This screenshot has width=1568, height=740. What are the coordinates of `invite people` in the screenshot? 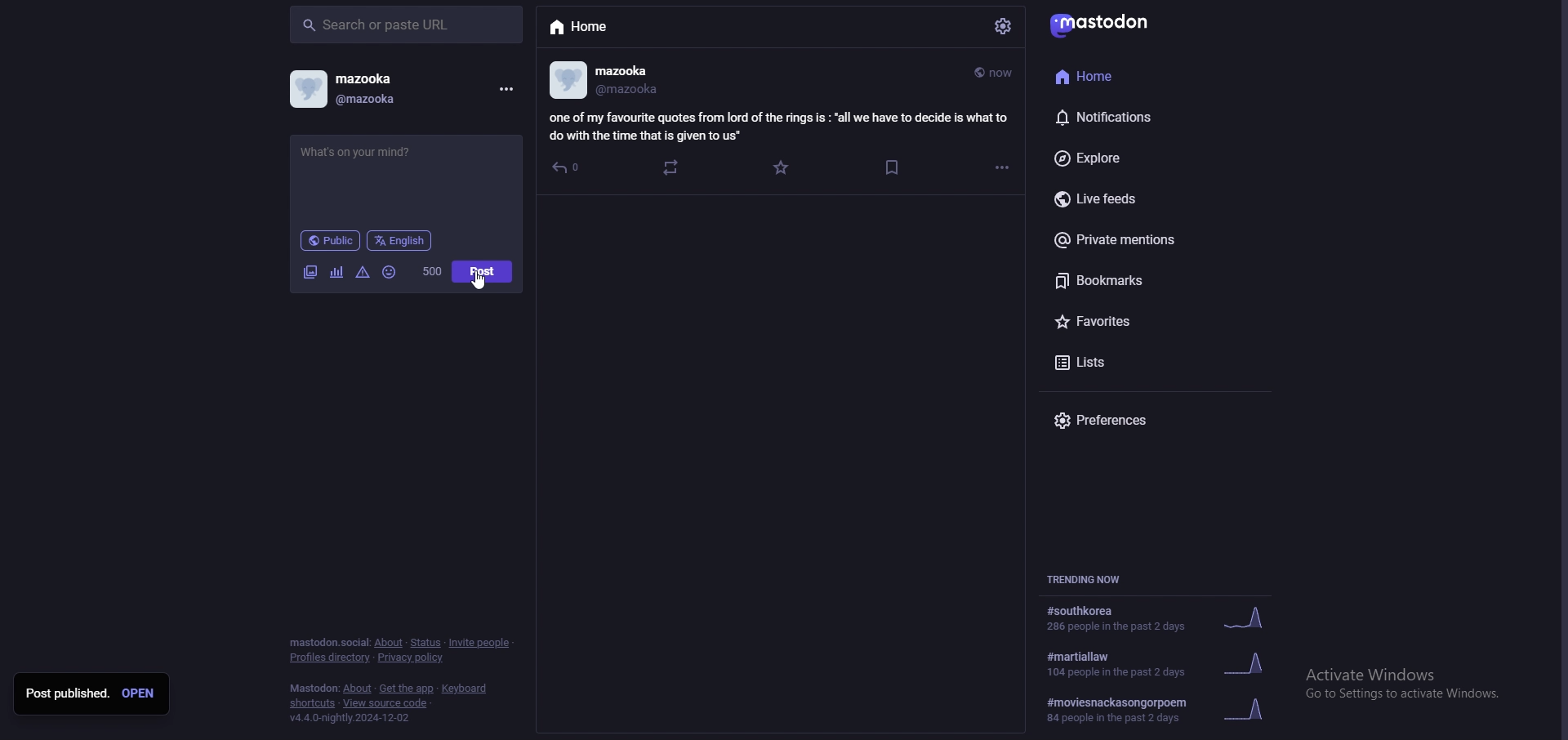 It's located at (482, 642).